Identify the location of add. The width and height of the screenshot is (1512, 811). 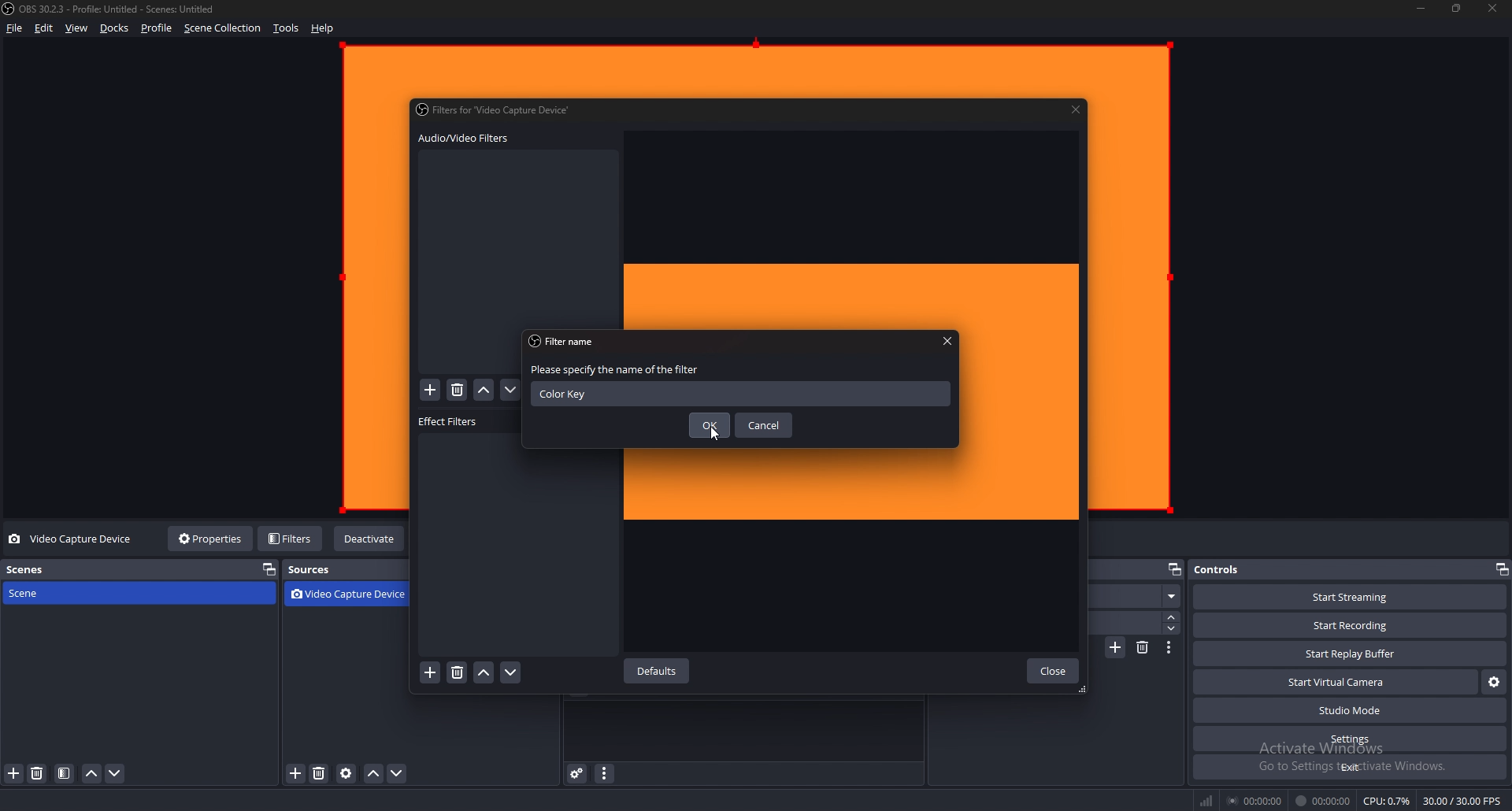
(431, 391).